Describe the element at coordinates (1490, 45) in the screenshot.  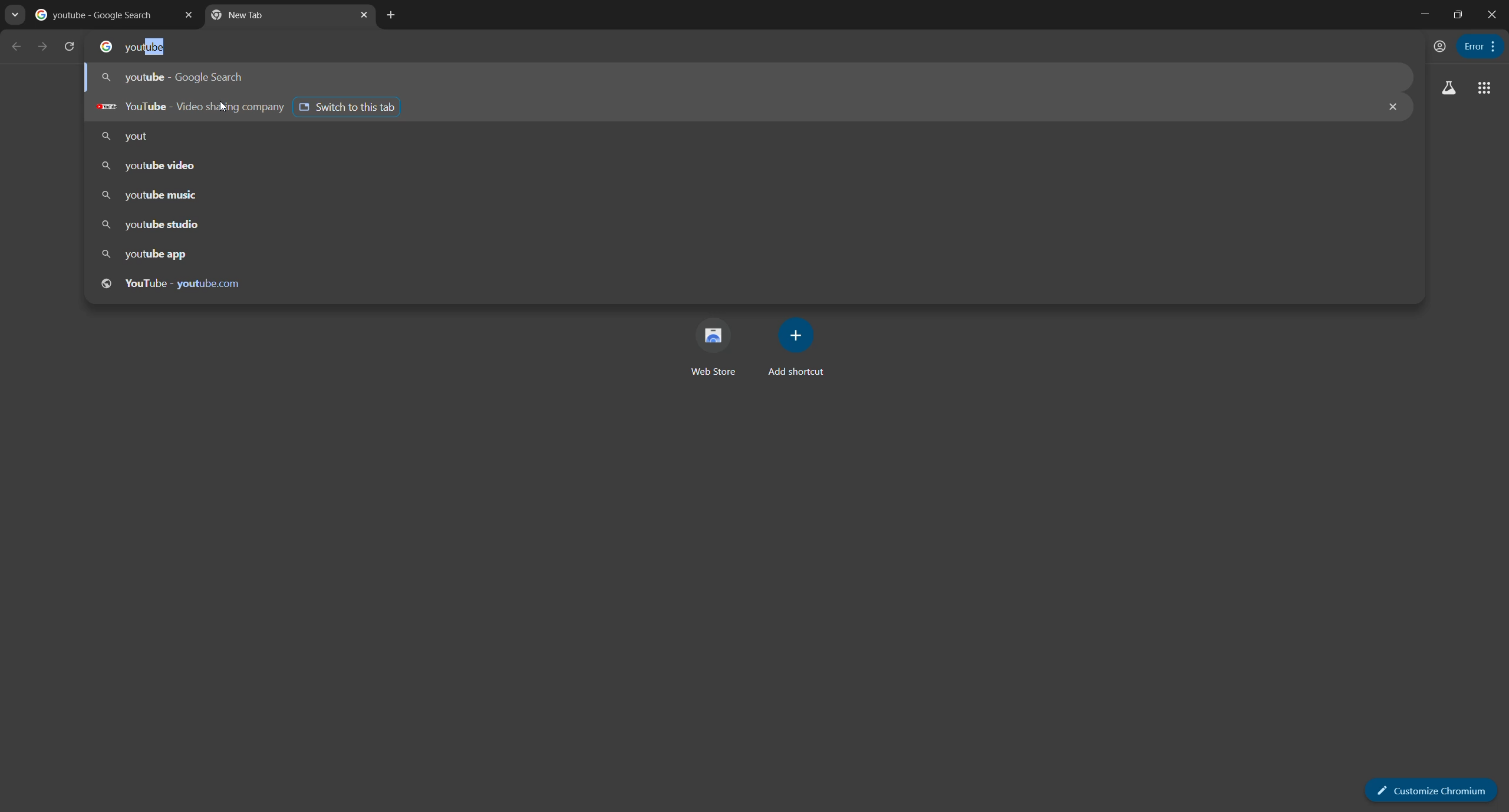
I see `customize chromium` at that location.